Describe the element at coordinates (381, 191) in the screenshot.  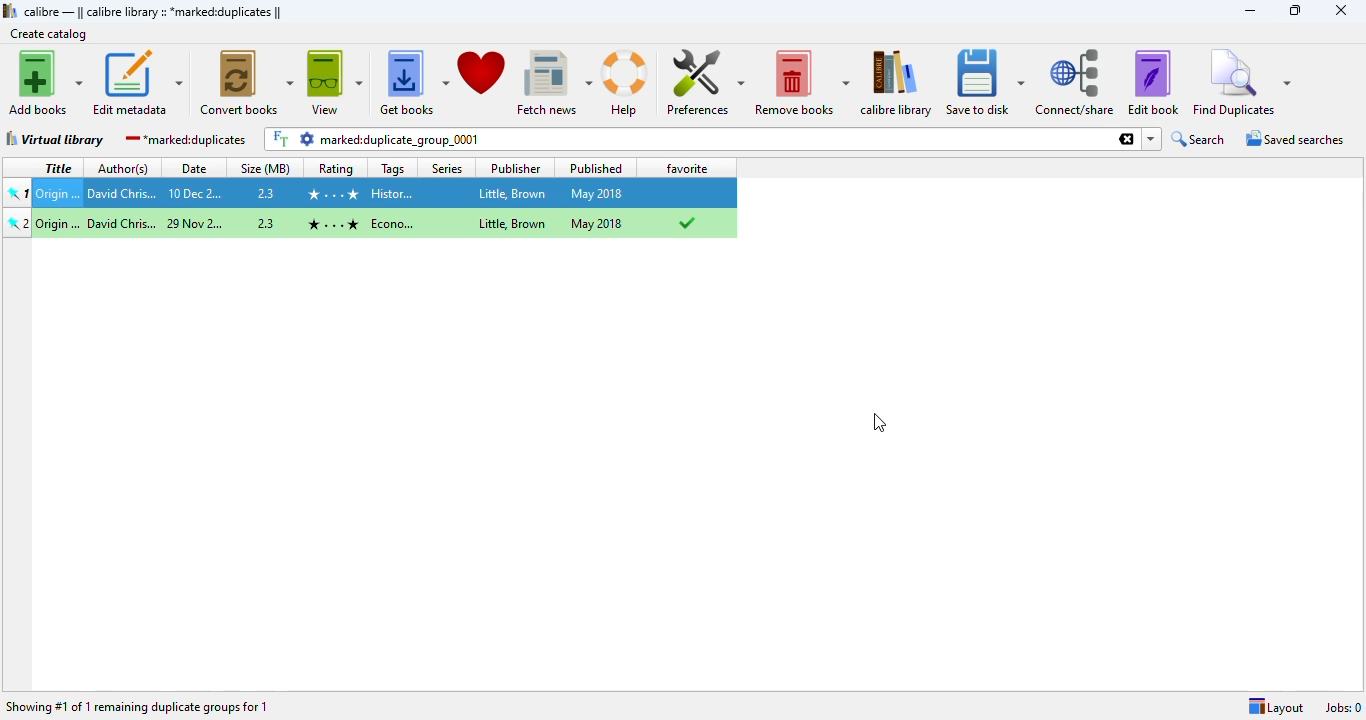
I see `Origin...David Chris...10 Dec 2...2.3 History... Little, Brown May 2018` at that location.